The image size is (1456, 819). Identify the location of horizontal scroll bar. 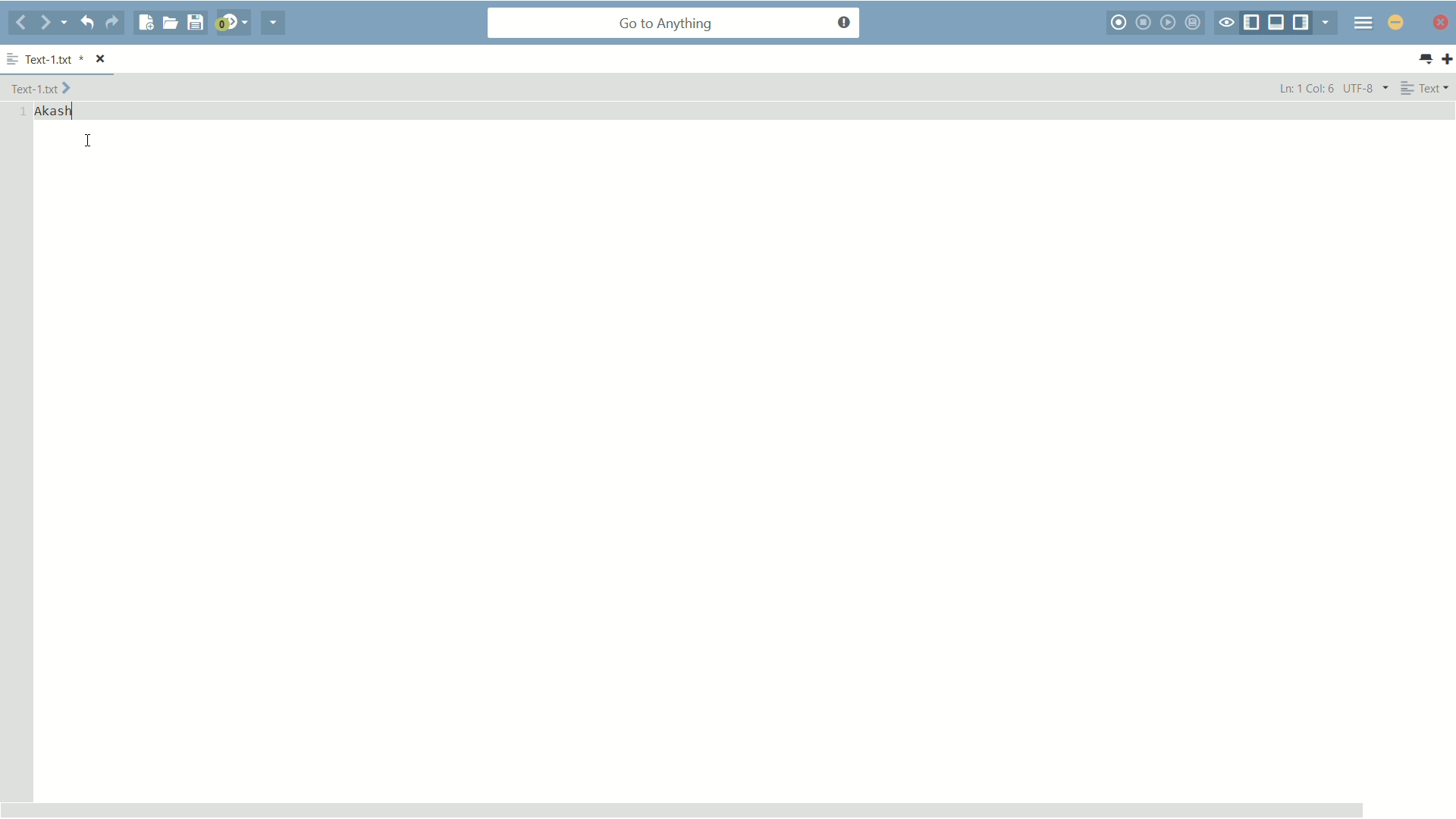
(682, 808).